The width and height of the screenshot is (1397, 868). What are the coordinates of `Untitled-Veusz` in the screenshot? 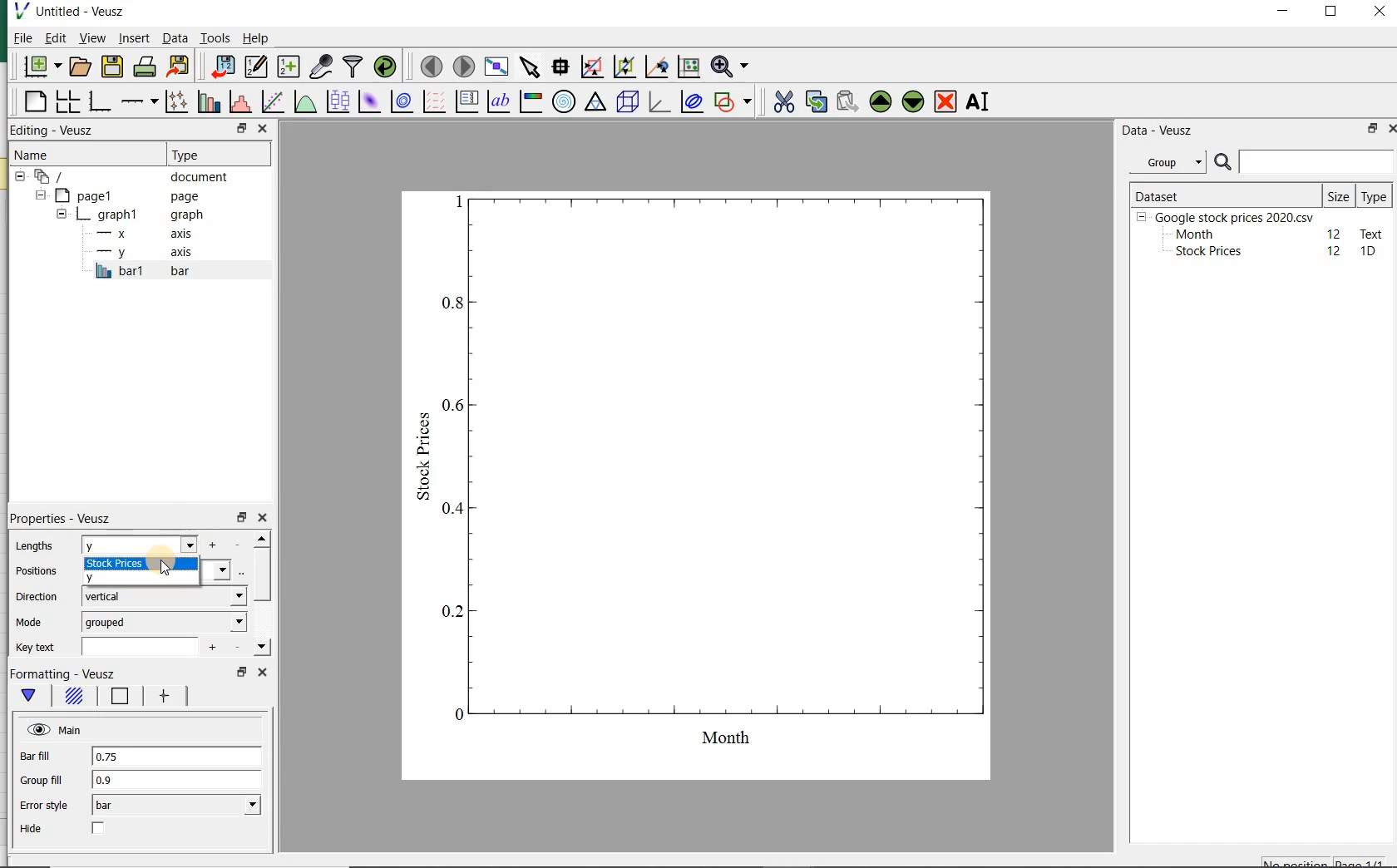 It's located at (77, 12).